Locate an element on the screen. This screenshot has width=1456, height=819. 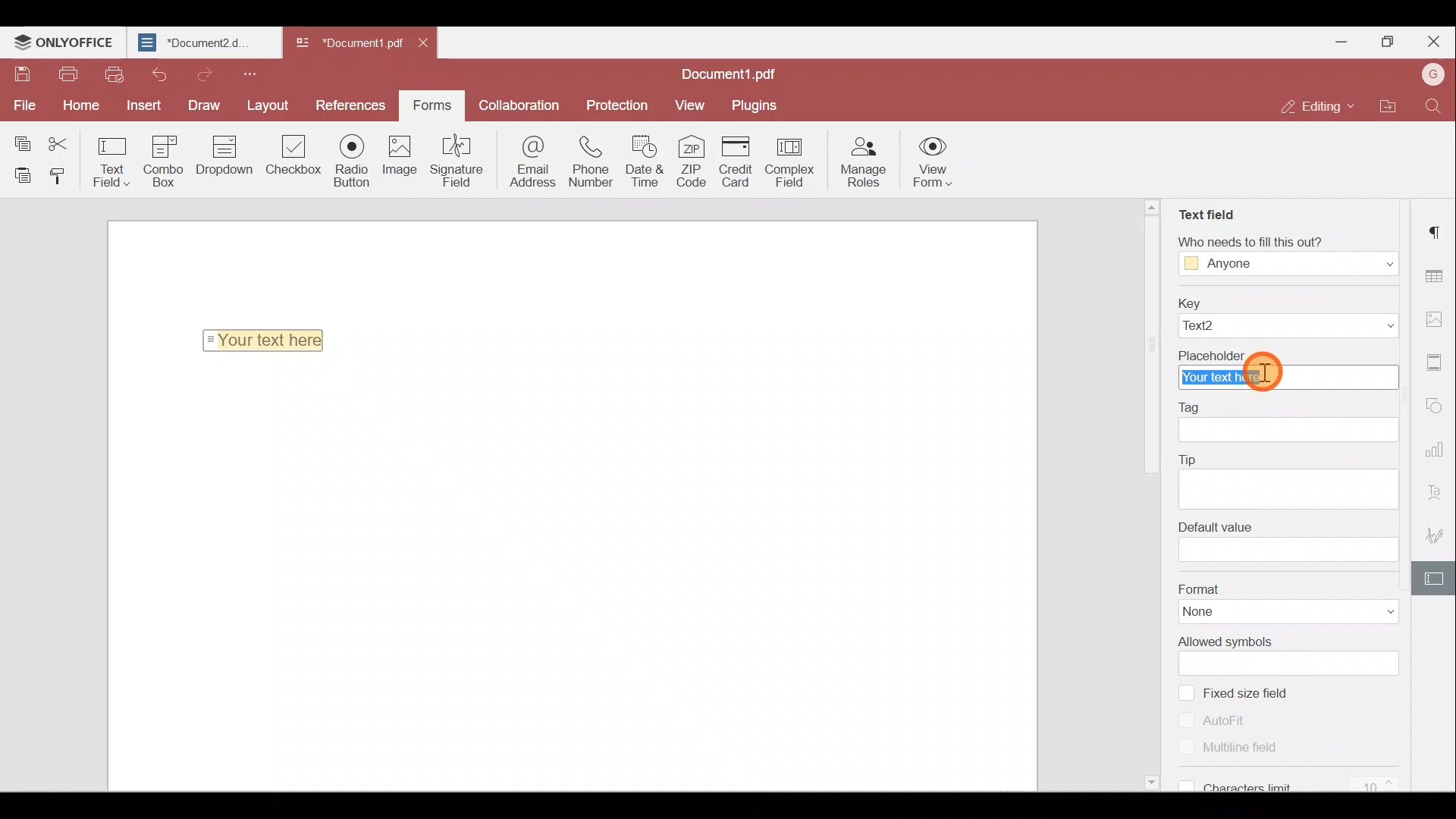
Format dropdown is located at coordinates (1373, 612).